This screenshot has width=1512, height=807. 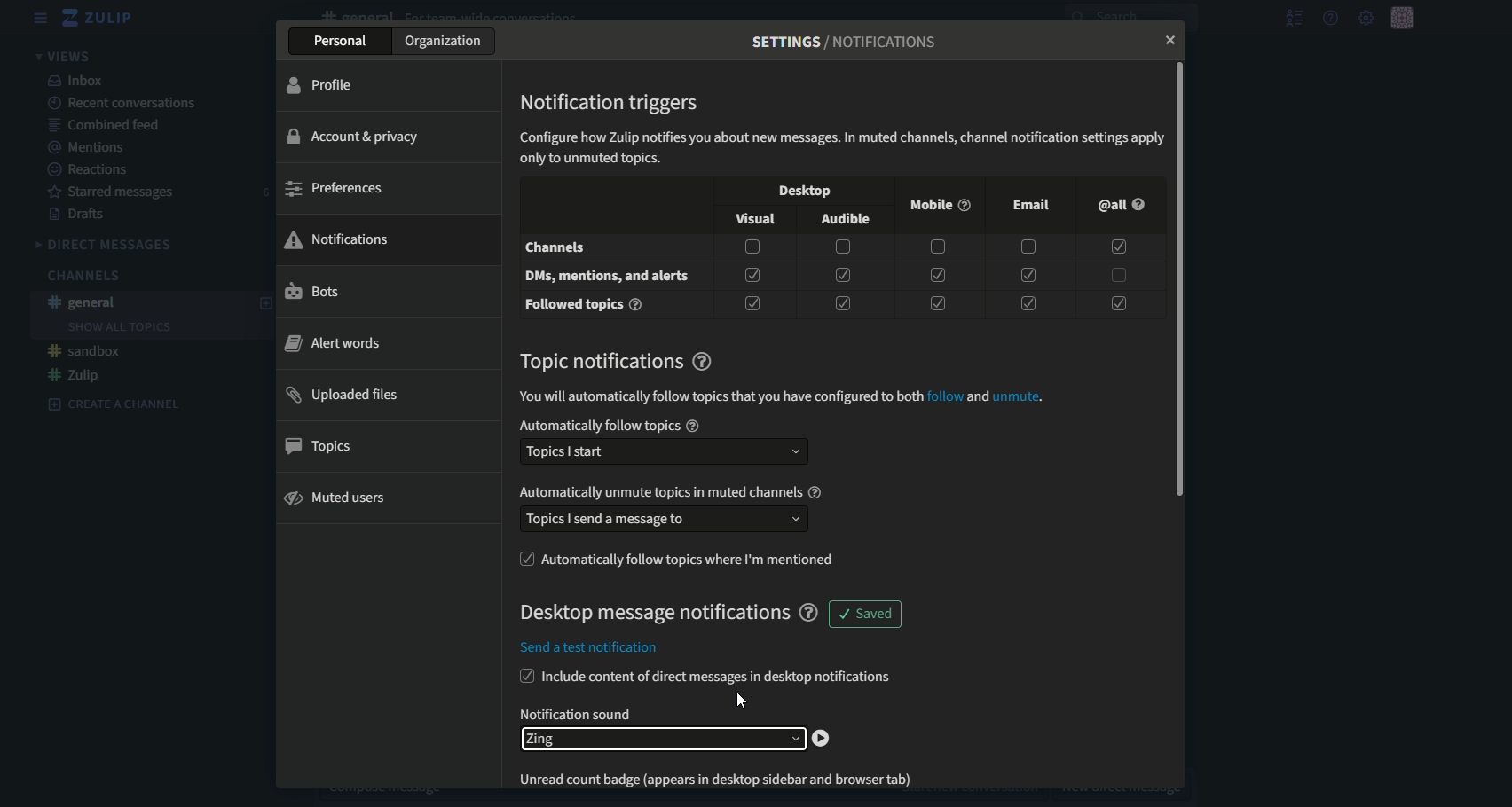 I want to click on help, so click(x=809, y=613).